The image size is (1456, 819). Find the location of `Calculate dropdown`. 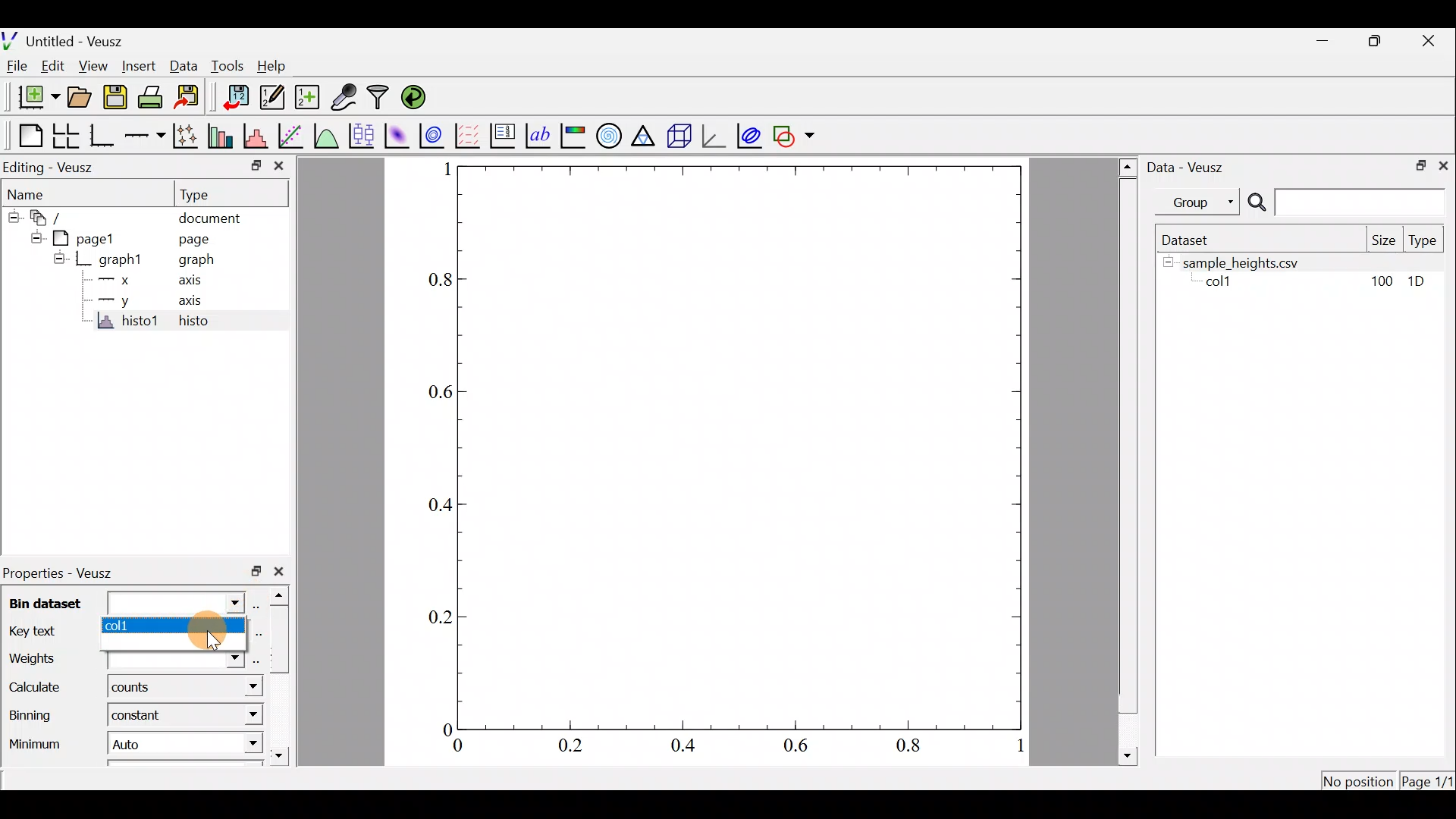

Calculate dropdown is located at coordinates (237, 686).